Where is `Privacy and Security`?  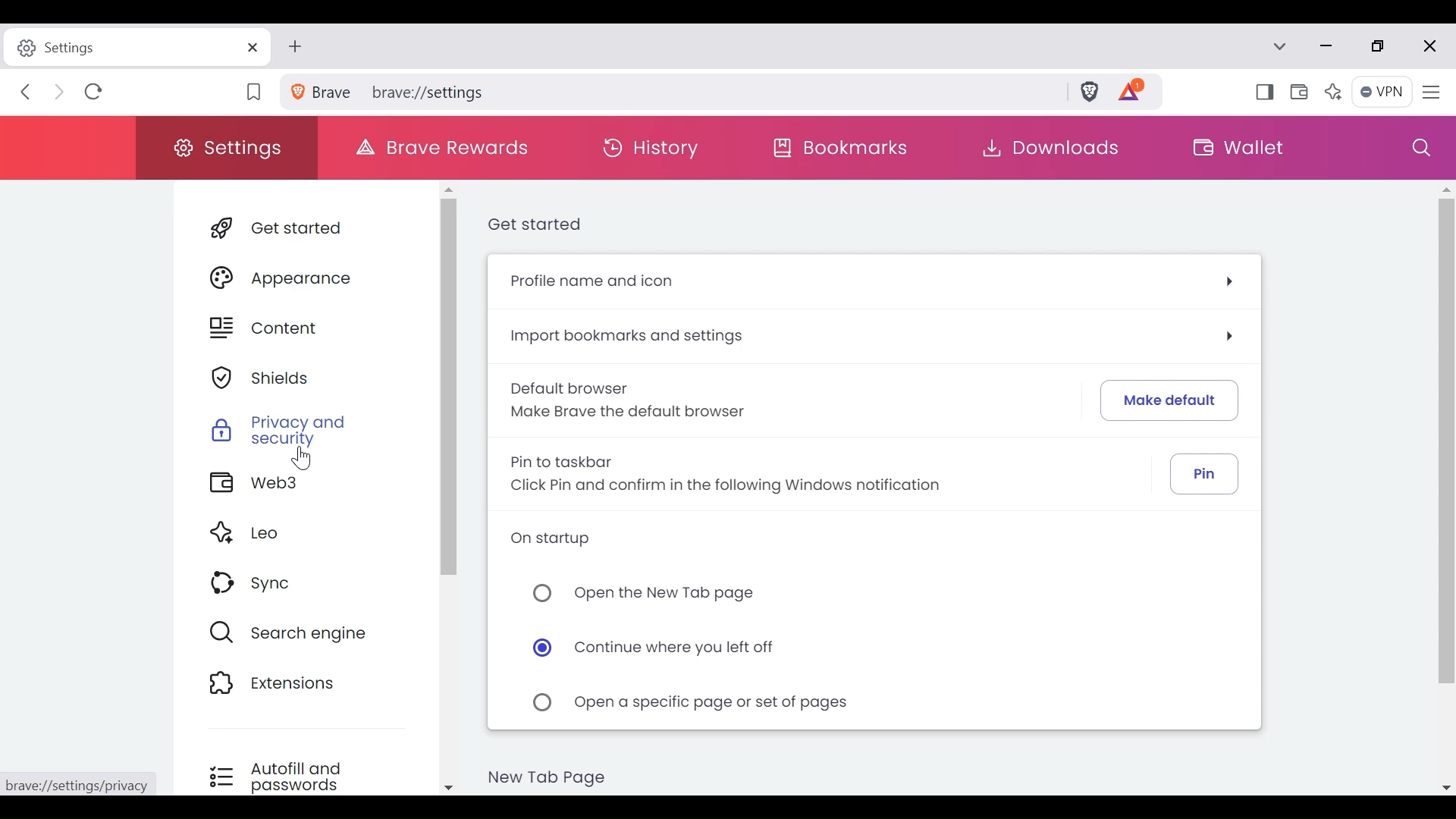
Privacy and Security is located at coordinates (303, 431).